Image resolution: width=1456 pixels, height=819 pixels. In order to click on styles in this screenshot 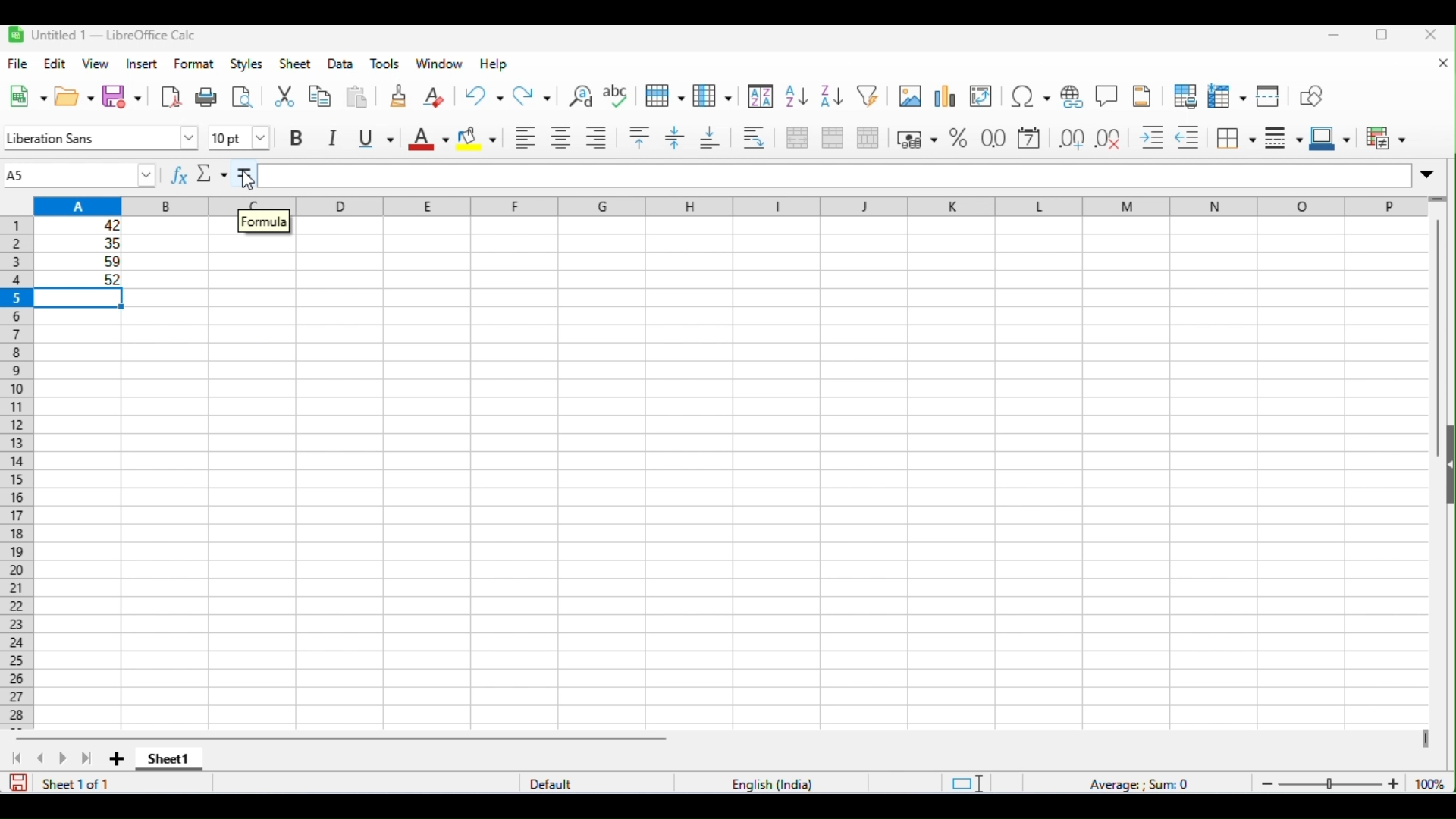, I will do `click(246, 64)`.